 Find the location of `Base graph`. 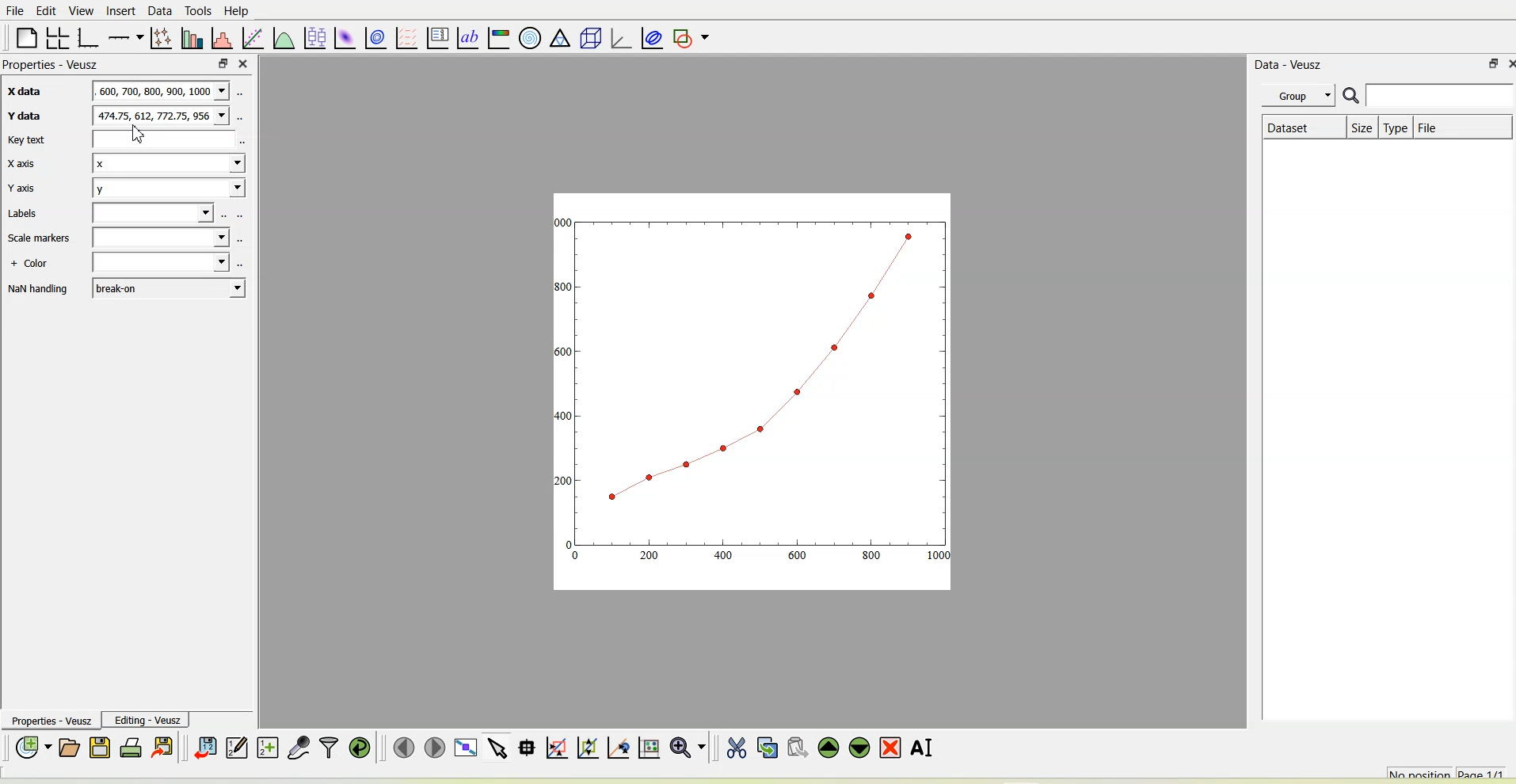

Base graph is located at coordinates (87, 38).